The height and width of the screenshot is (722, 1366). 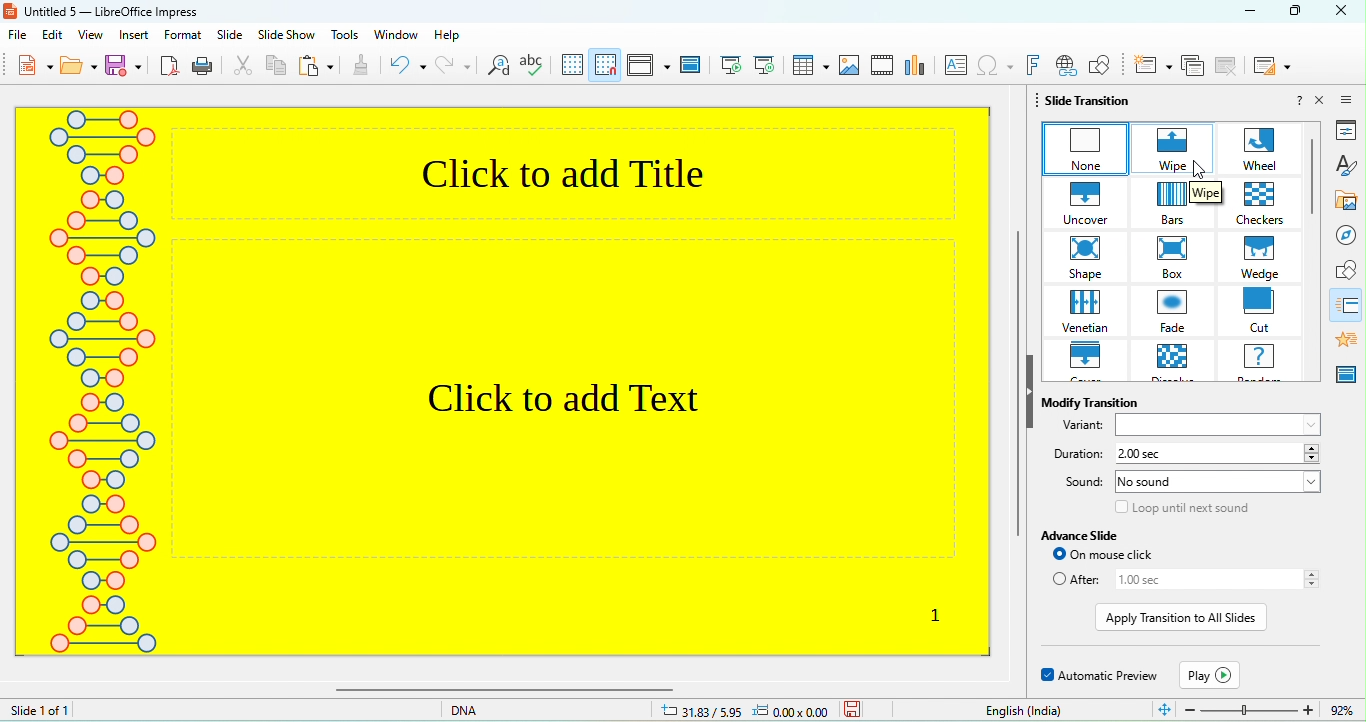 I want to click on annimation, so click(x=1345, y=341).